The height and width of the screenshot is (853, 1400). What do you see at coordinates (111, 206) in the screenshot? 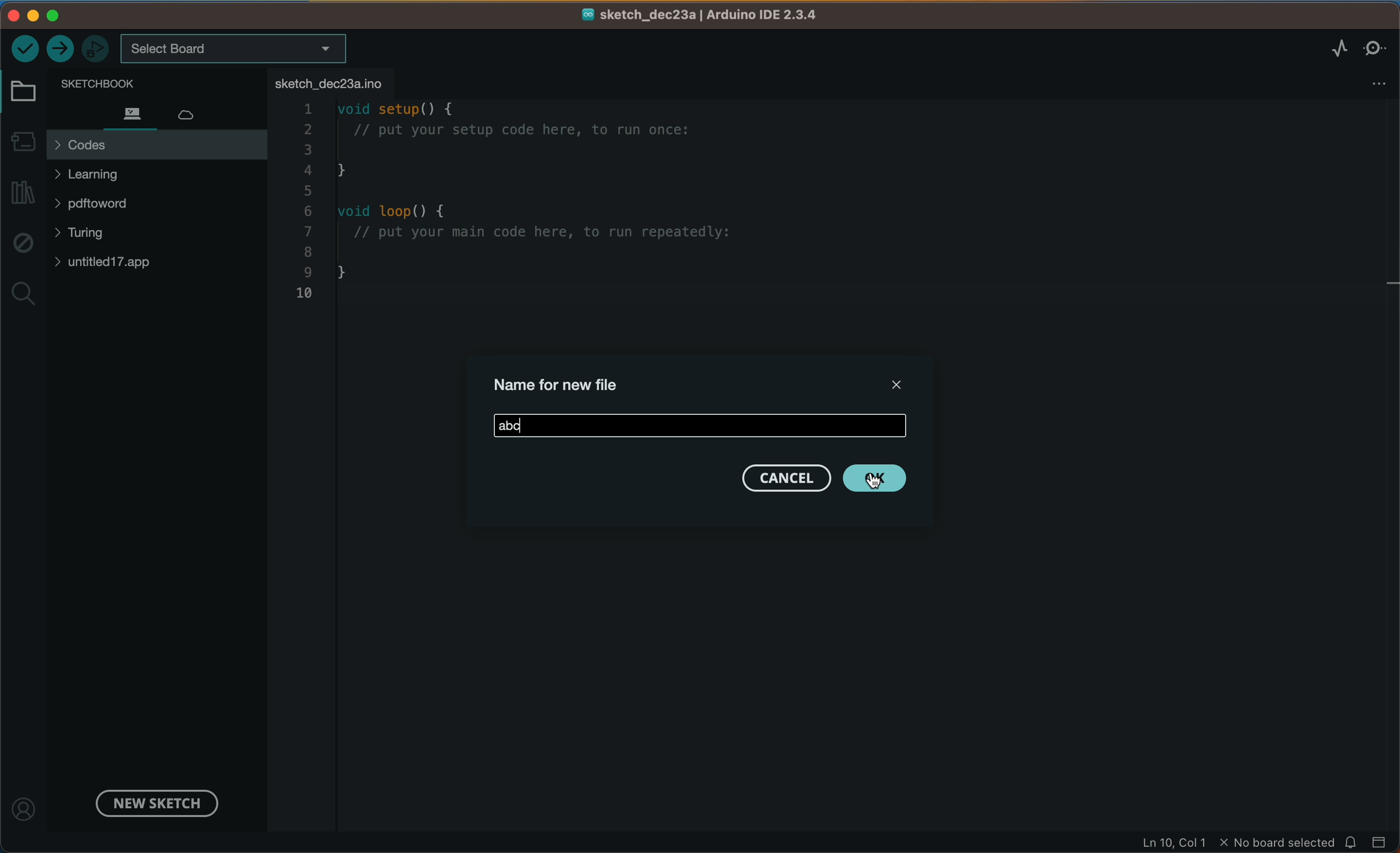
I see `pdftoword` at bounding box center [111, 206].